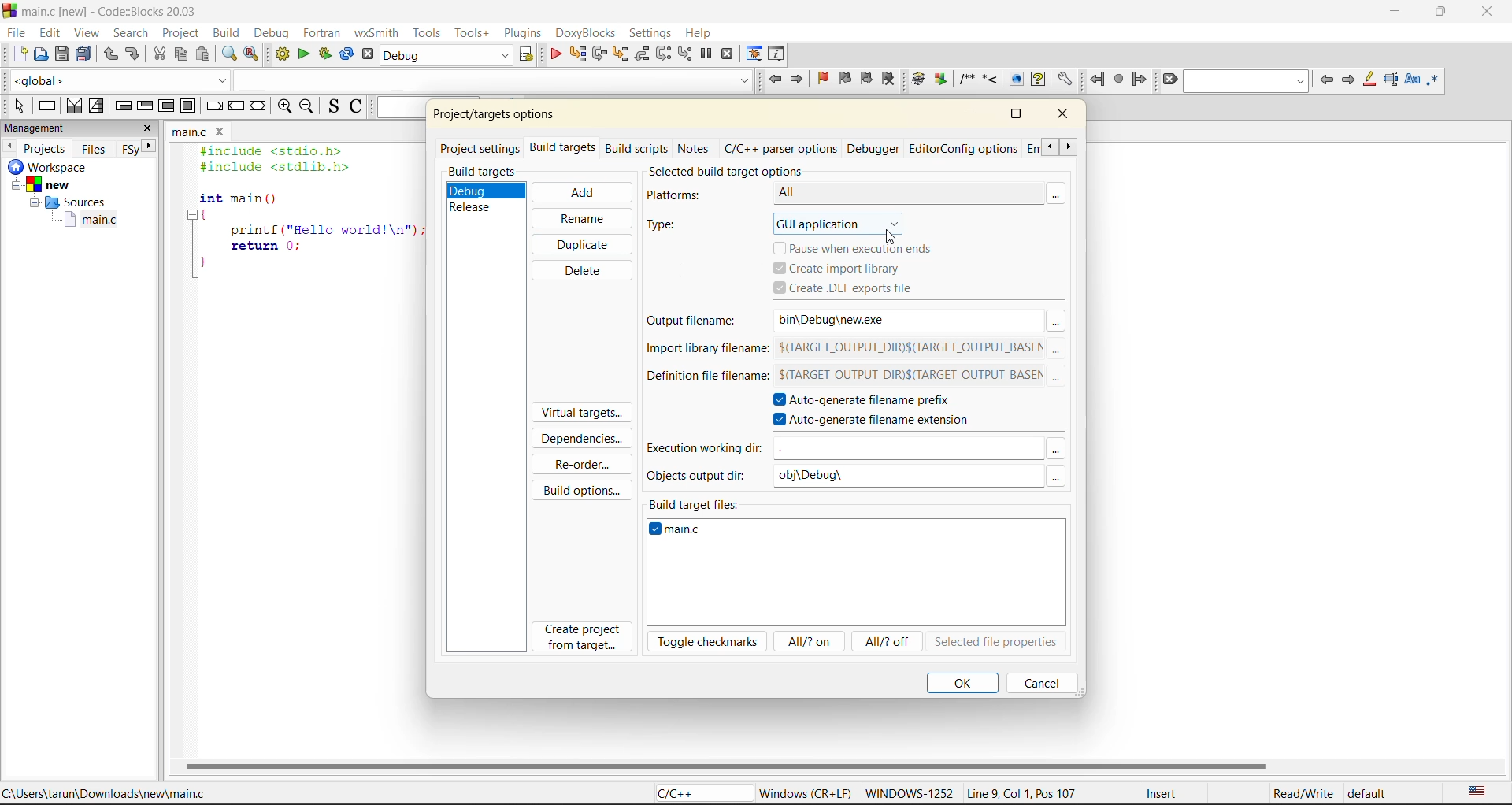 The height and width of the screenshot is (805, 1512). Describe the element at coordinates (580, 192) in the screenshot. I see `add` at that location.